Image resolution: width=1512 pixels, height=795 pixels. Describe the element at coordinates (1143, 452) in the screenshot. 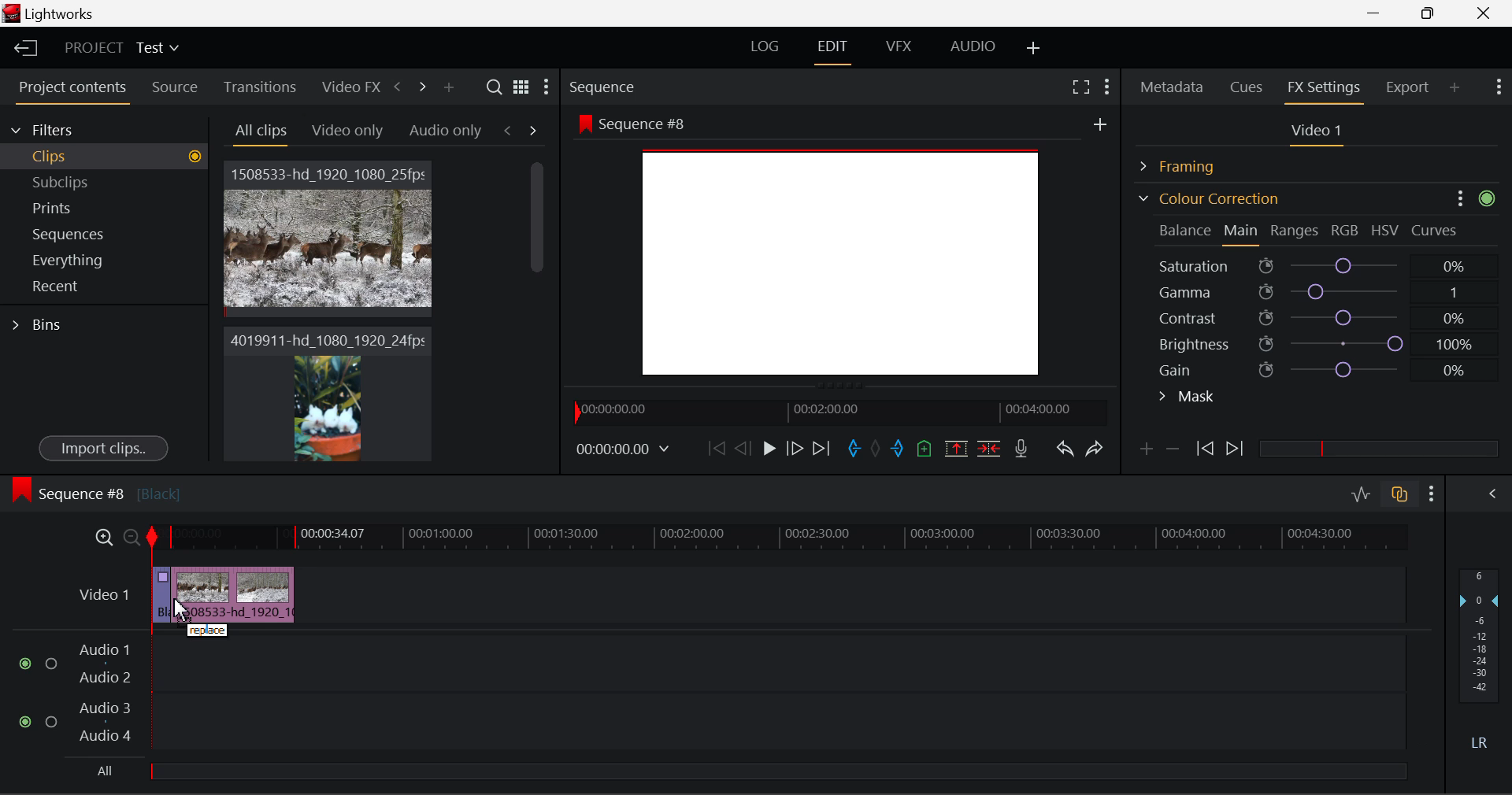

I see `Add keyframe` at that location.